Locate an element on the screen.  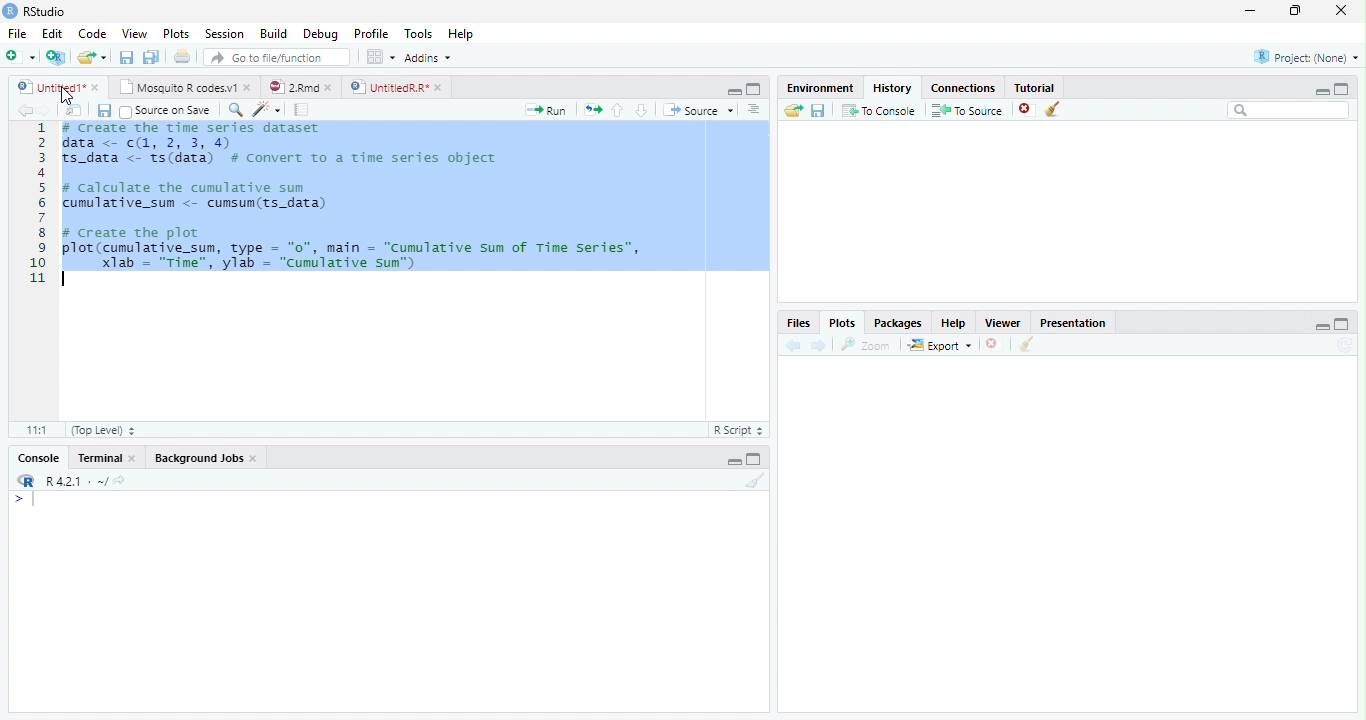
2.Rmd is located at coordinates (303, 88).